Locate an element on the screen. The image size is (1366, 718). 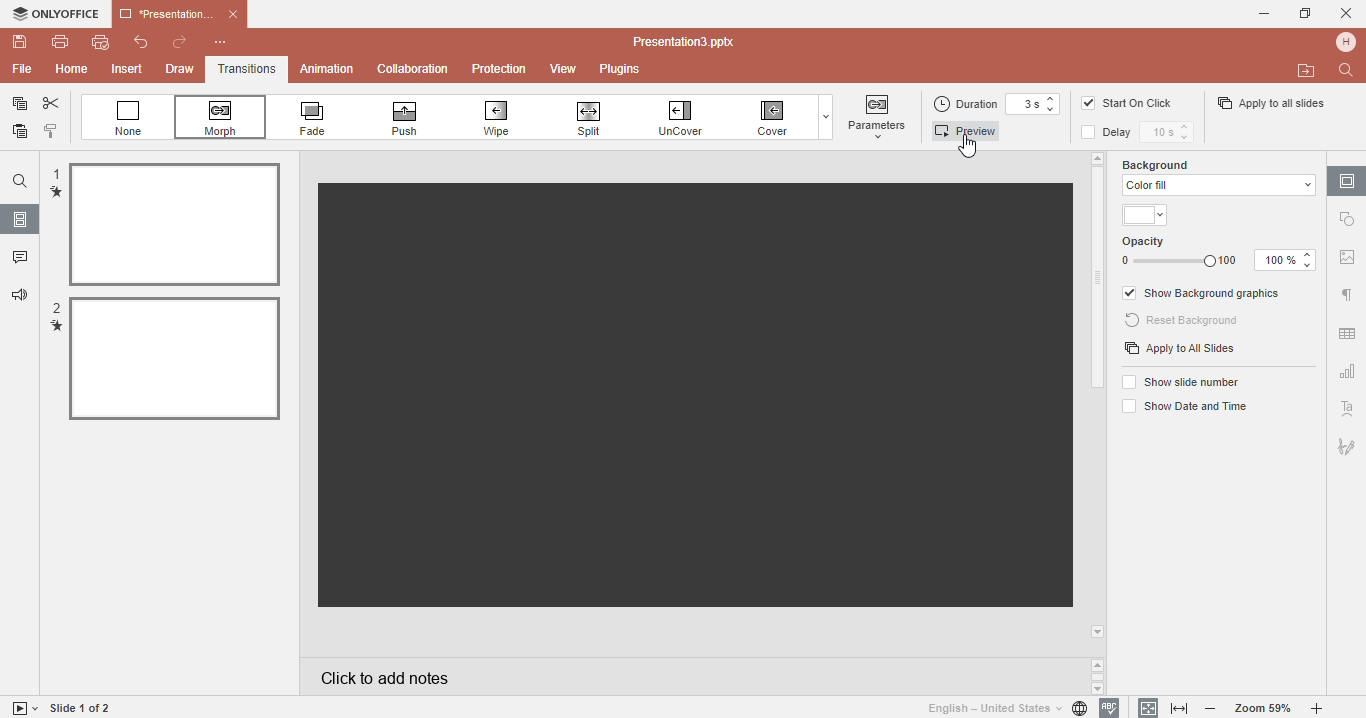
arrow down is located at coordinates (1099, 632).